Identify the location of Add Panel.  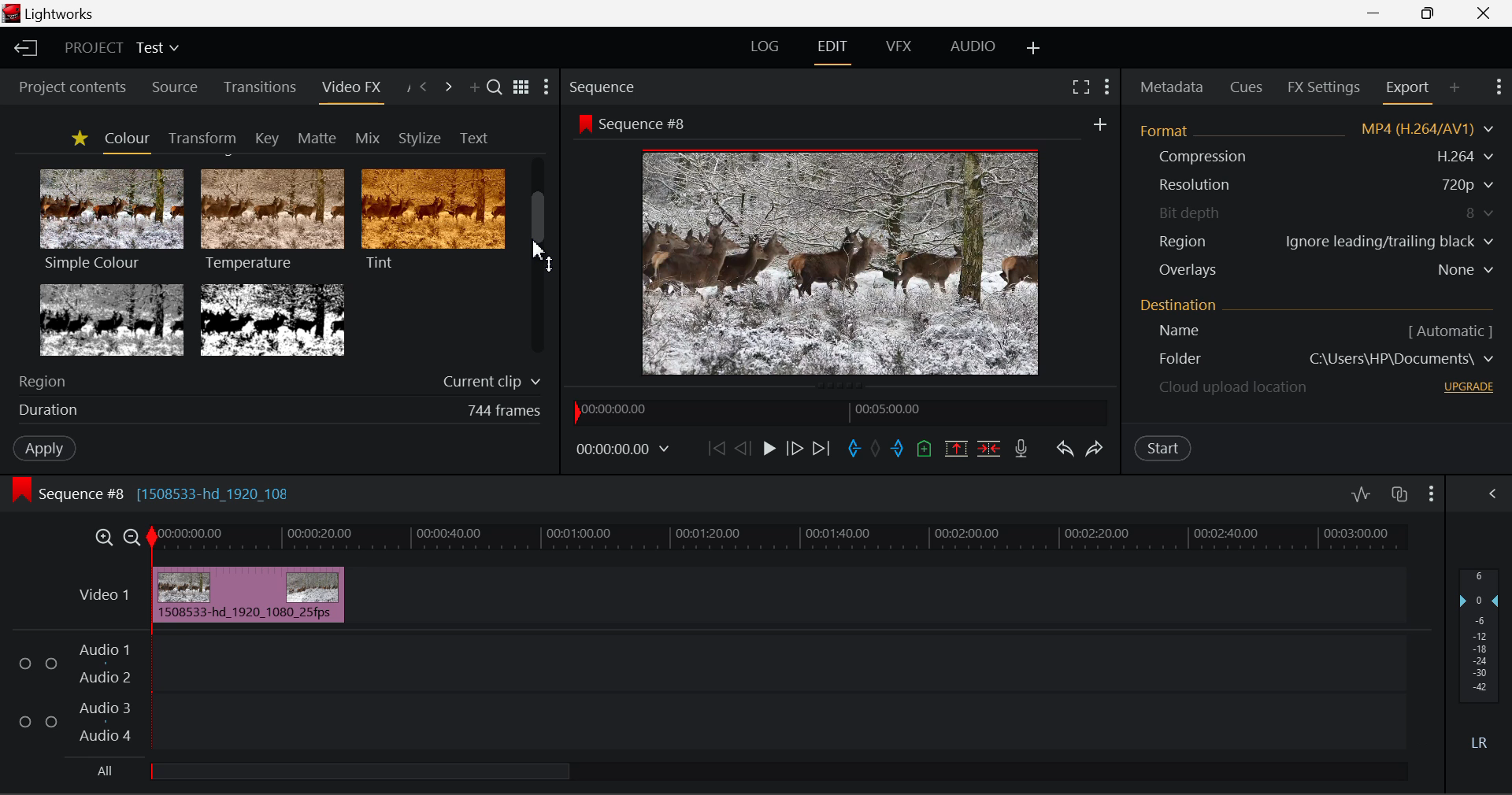
(472, 87).